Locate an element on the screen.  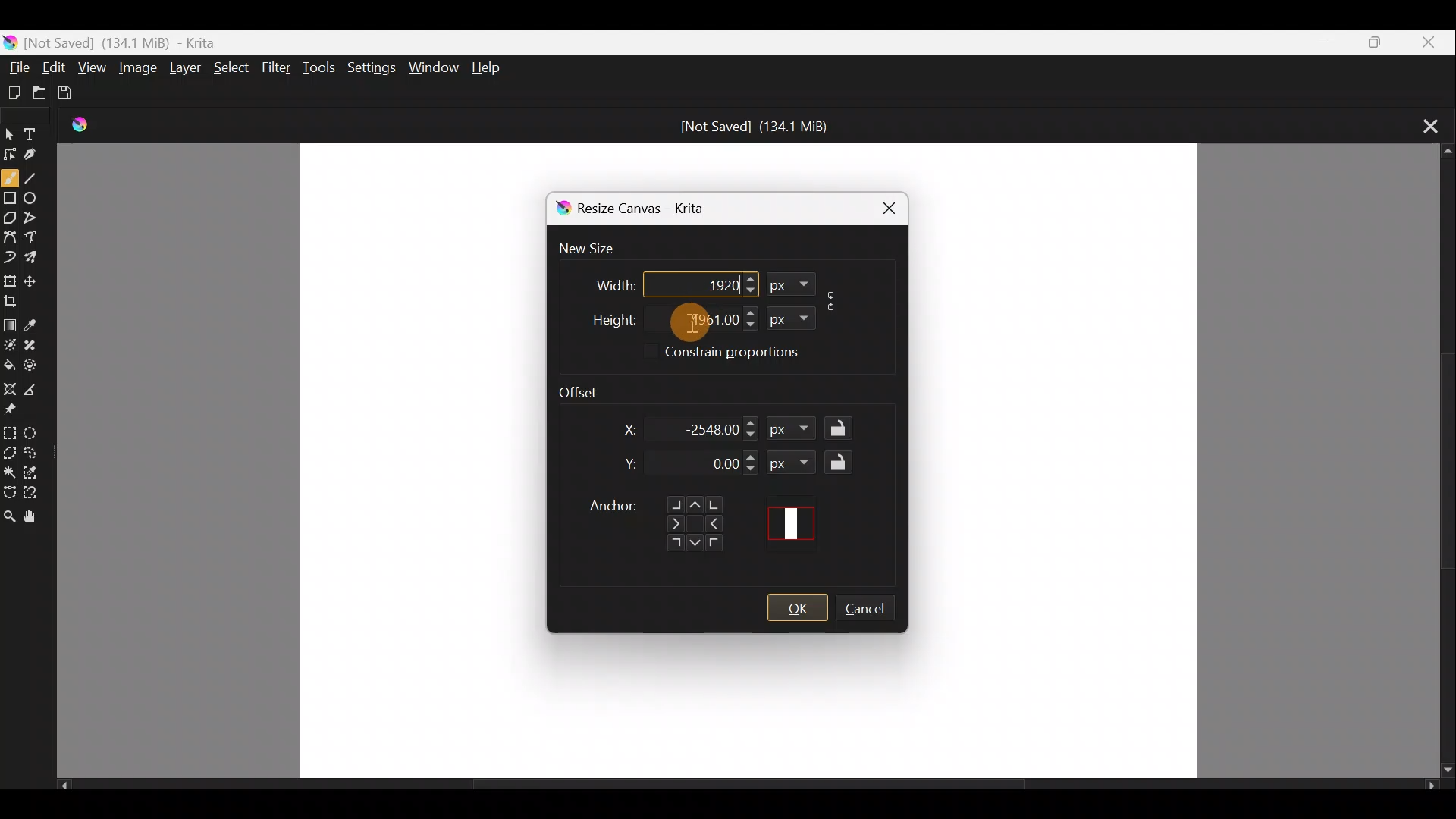
Create a new document is located at coordinates (15, 92).